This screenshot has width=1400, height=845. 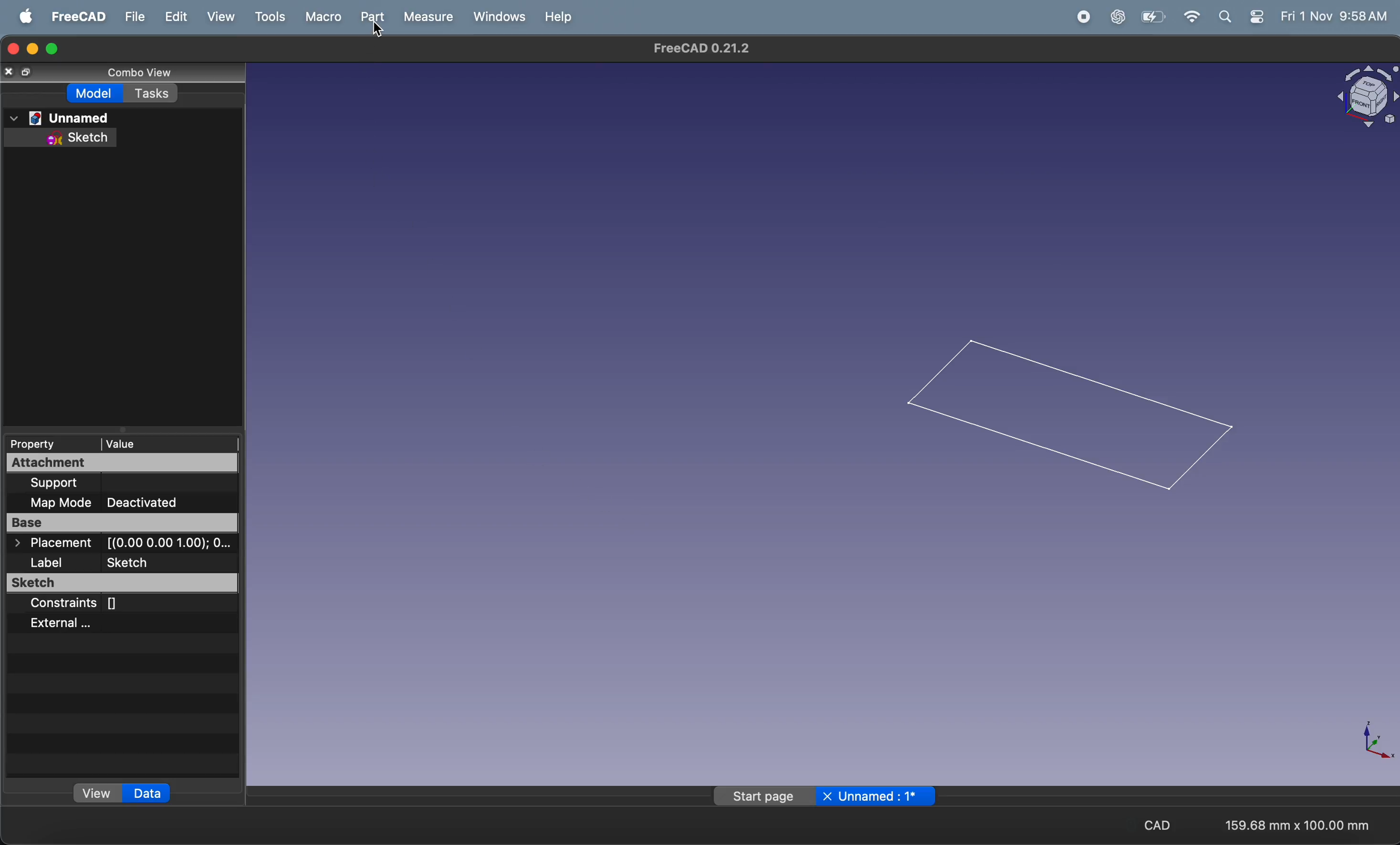 I want to click on tools, so click(x=265, y=16).